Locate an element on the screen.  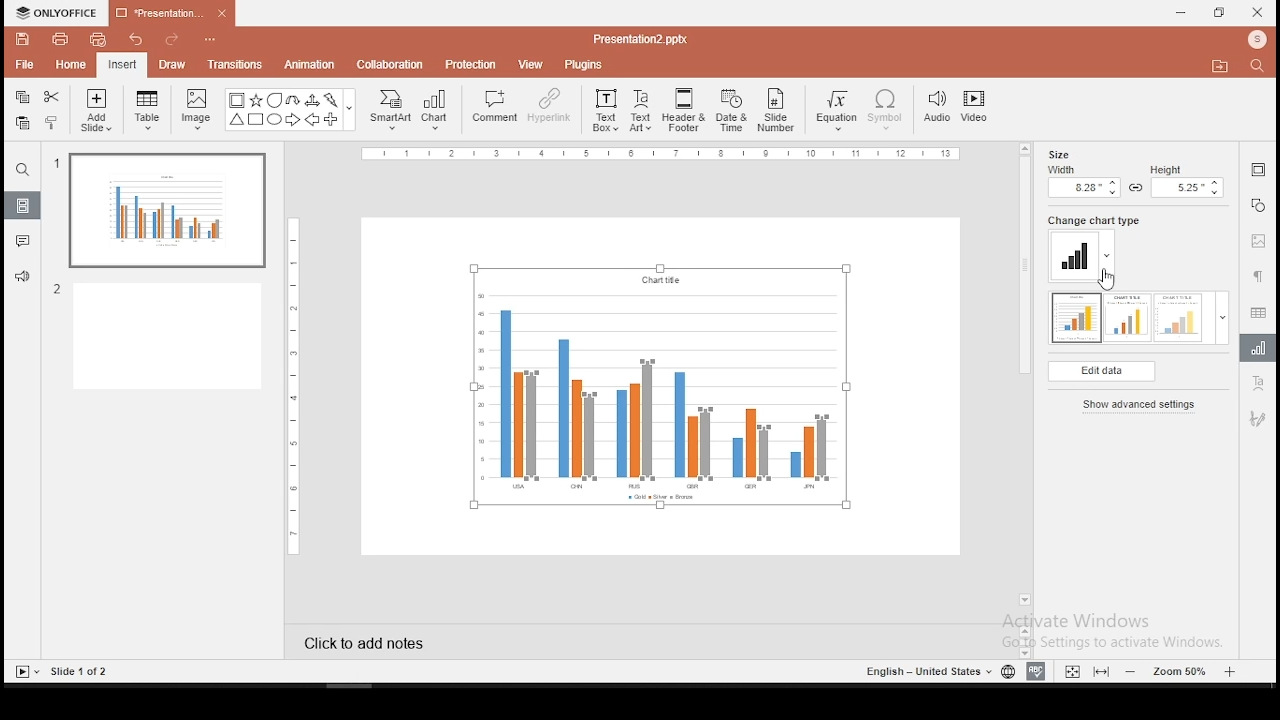
text box is located at coordinates (605, 111).